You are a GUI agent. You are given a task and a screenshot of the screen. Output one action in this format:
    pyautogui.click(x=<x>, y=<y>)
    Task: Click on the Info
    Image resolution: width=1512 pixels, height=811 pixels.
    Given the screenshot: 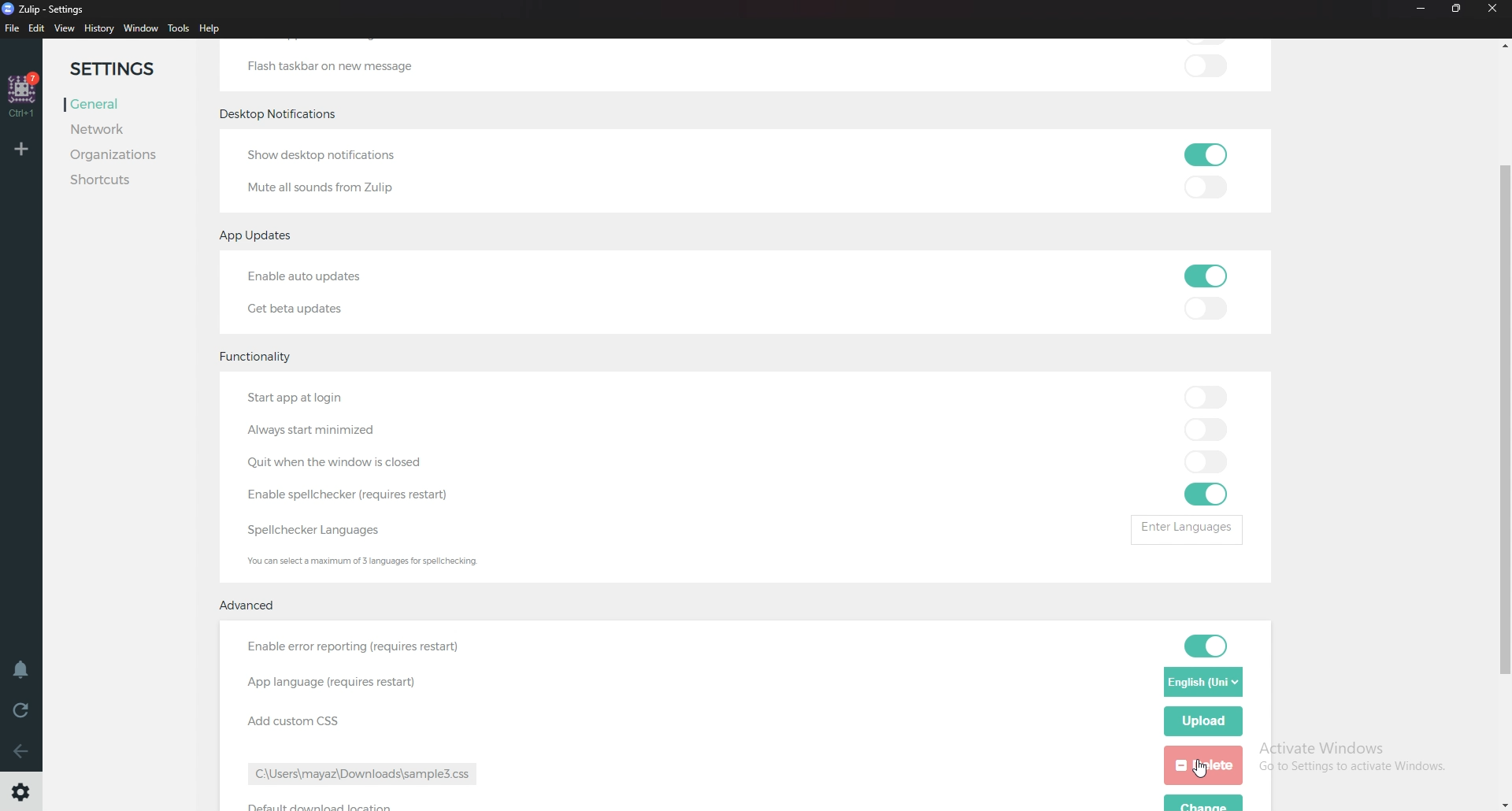 What is the action you would take?
    pyautogui.click(x=371, y=561)
    